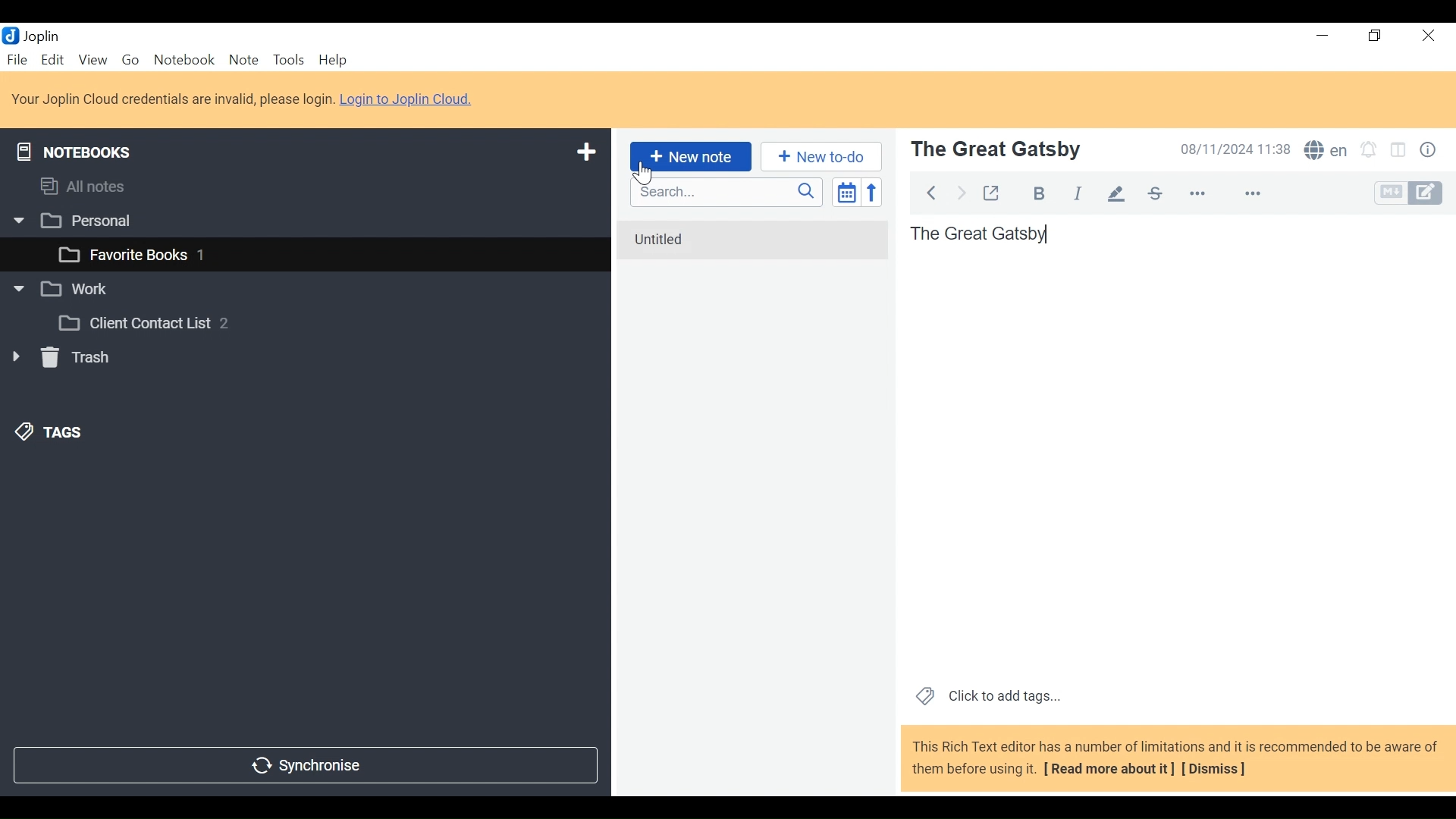 The height and width of the screenshot is (819, 1456). Describe the element at coordinates (1233, 150) in the screenshot. I see `08/11/2024 11:38` at that location.